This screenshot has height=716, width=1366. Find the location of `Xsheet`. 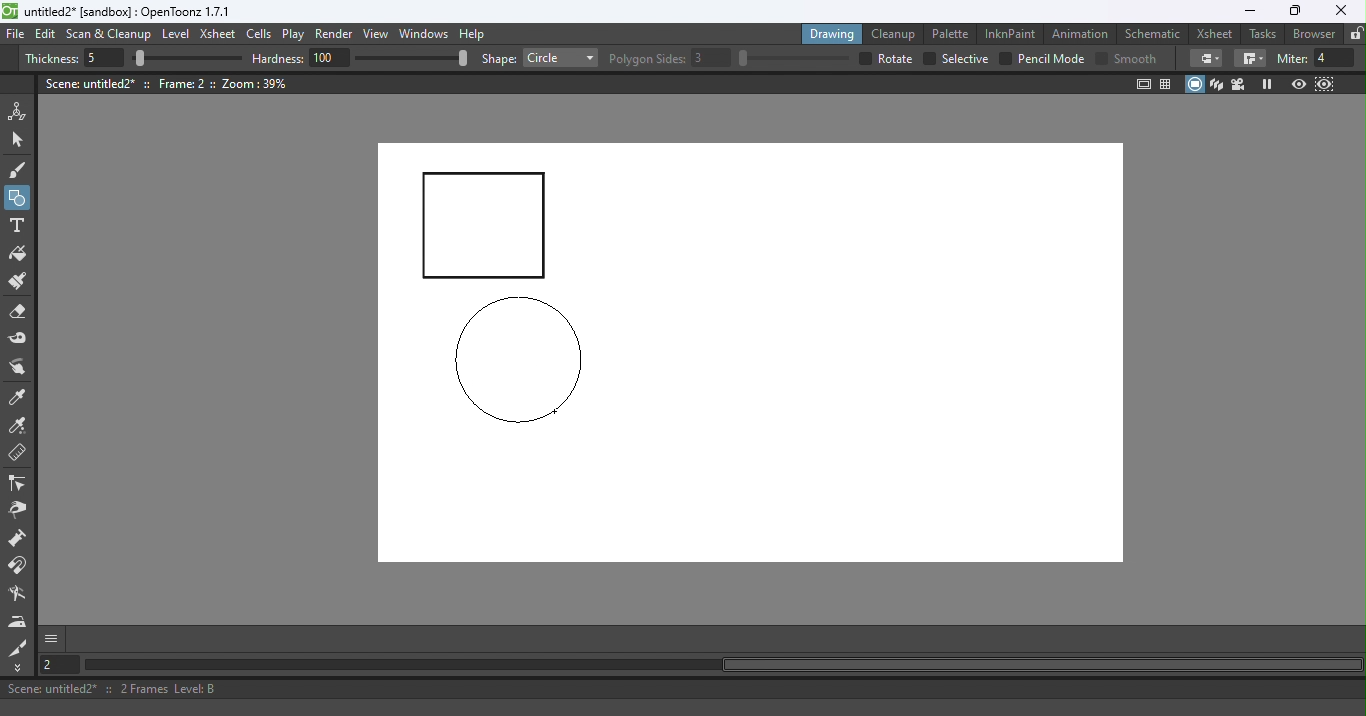

Xsheet is located at coordinates (220, 36).